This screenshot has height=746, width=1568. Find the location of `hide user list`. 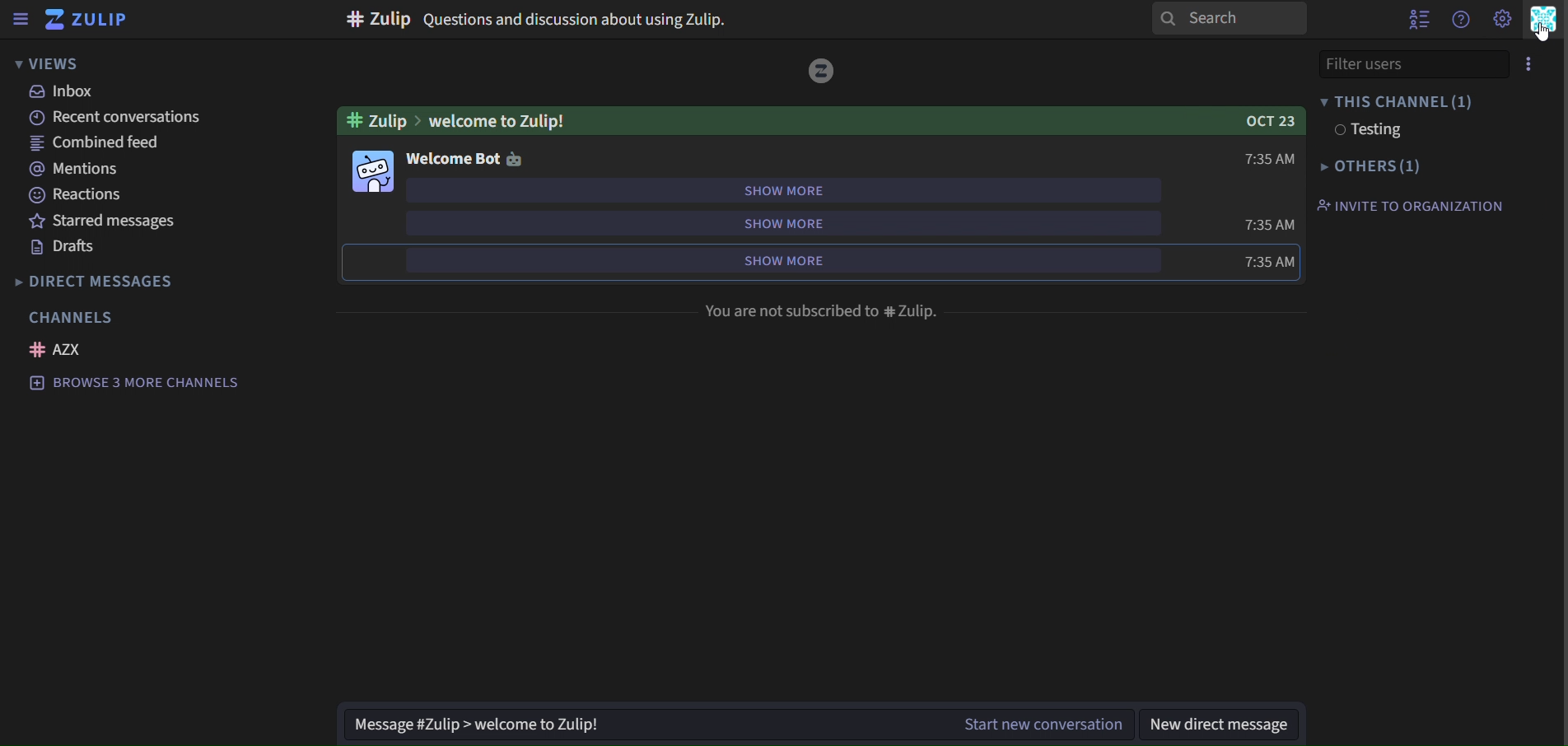

hide user list is located at coordinates (1414, 20).